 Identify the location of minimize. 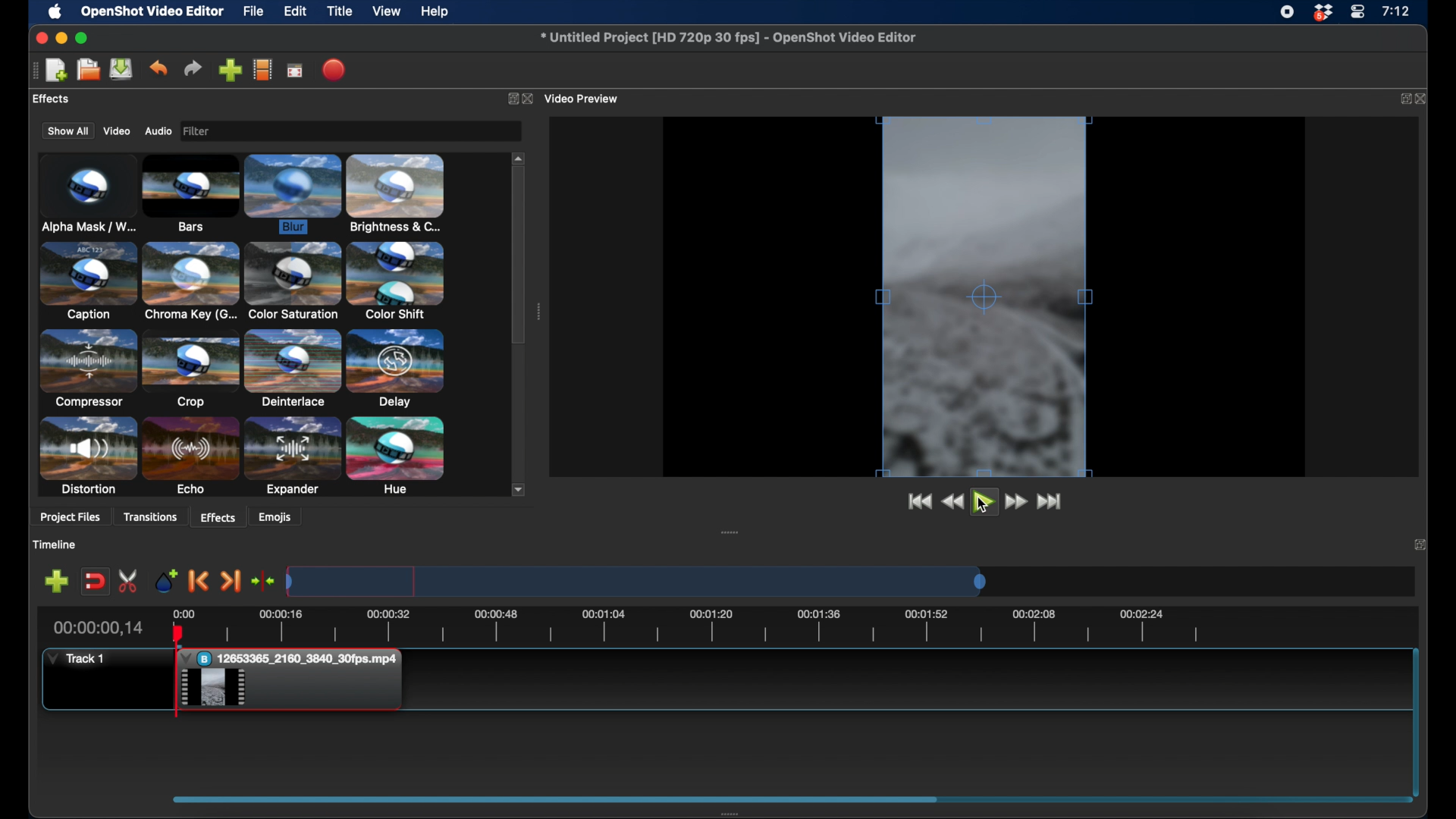
(61, 39).